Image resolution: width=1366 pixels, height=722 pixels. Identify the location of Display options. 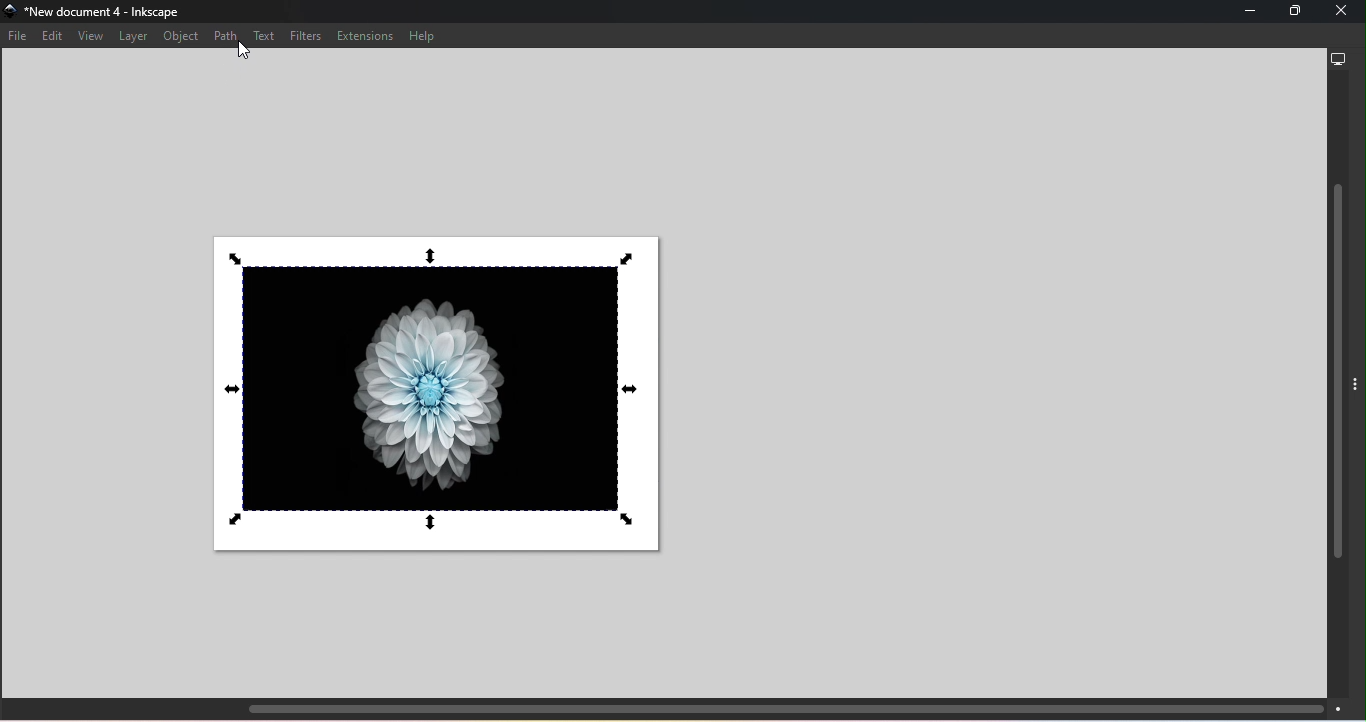
(1338, 58).